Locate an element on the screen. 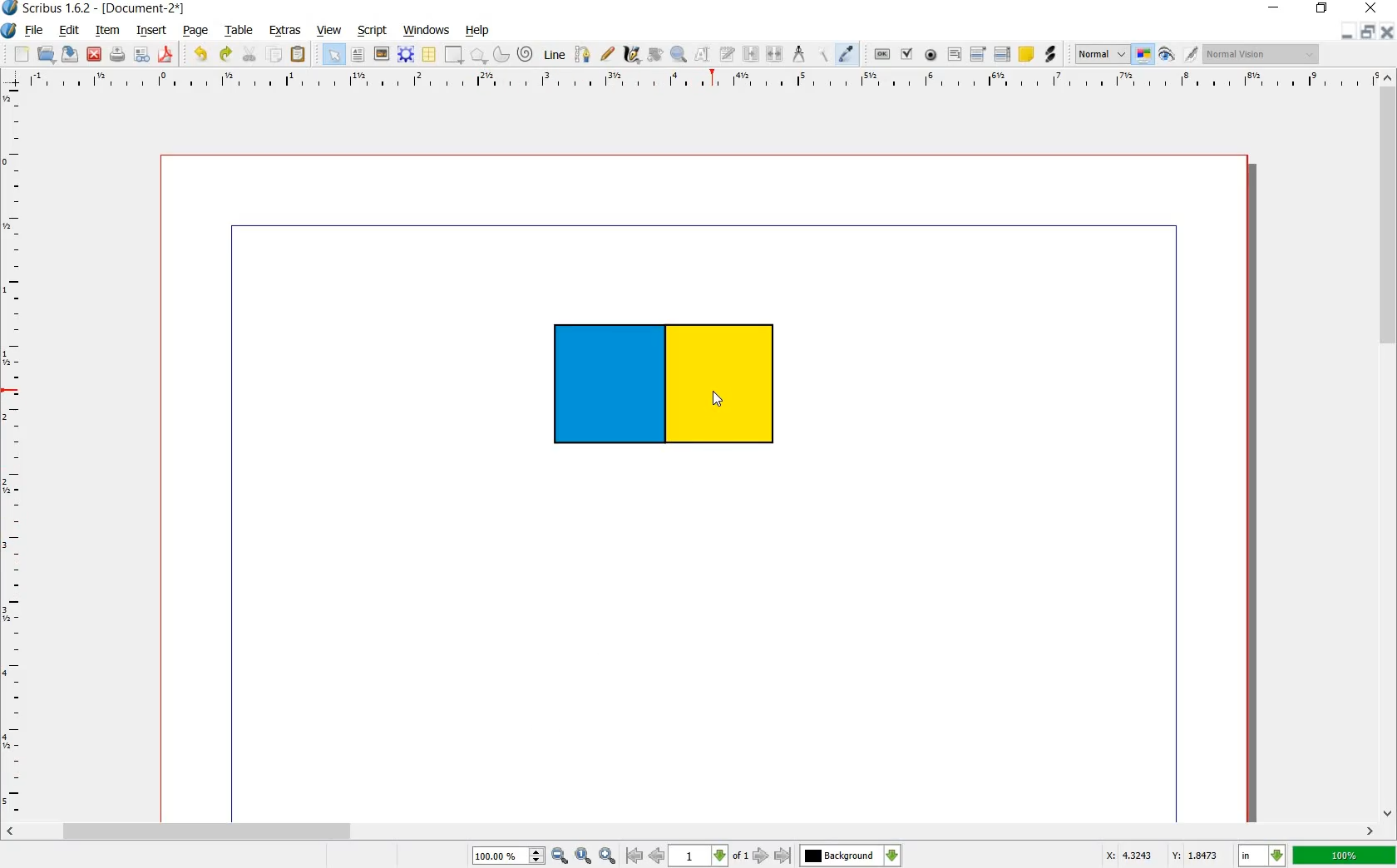 The width and height of the screenshot is (1397, 868). restore is located at coordinates (1370, 32).